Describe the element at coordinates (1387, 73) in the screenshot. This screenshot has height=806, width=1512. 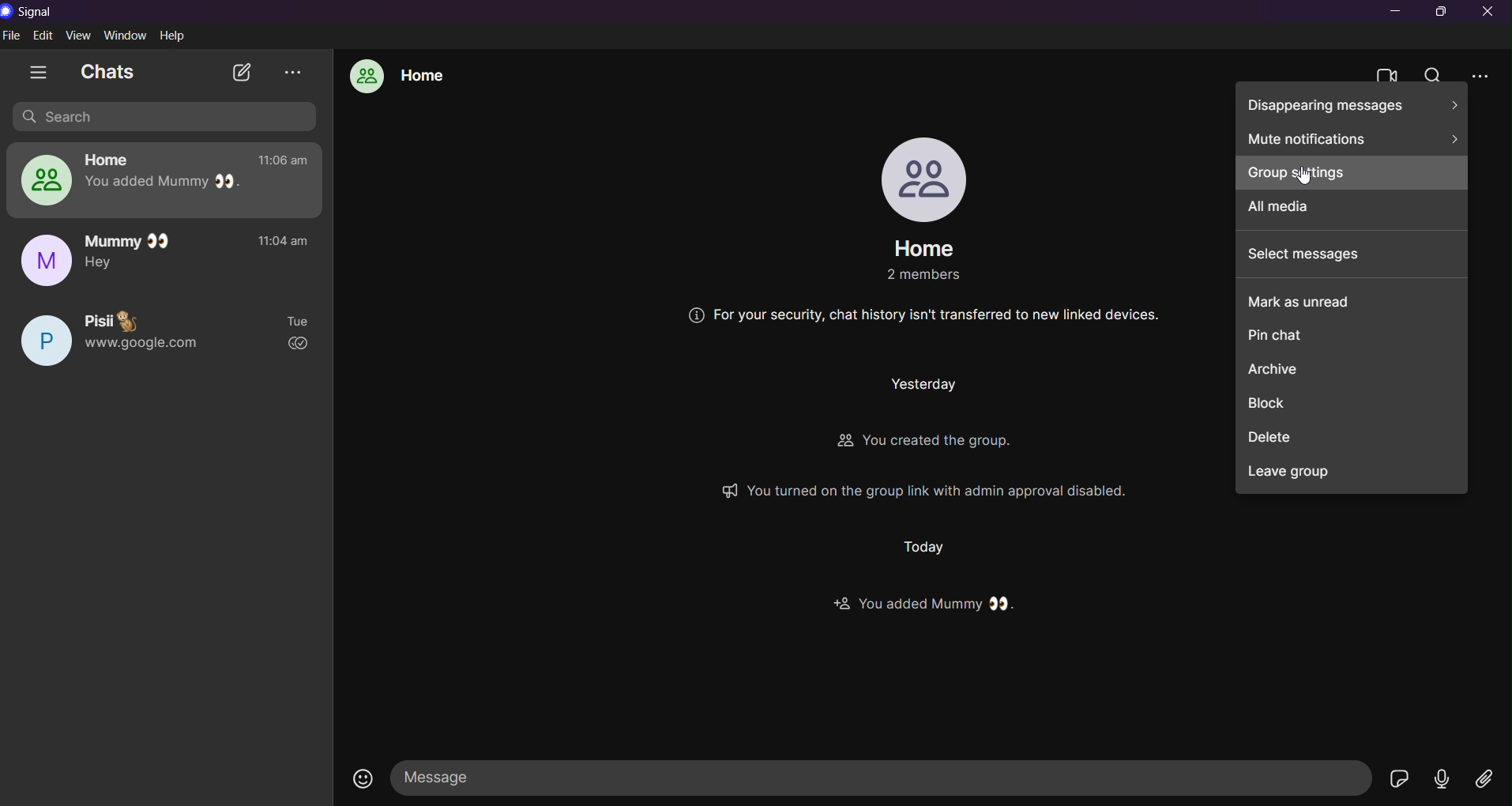
I see `video calls` at that location.